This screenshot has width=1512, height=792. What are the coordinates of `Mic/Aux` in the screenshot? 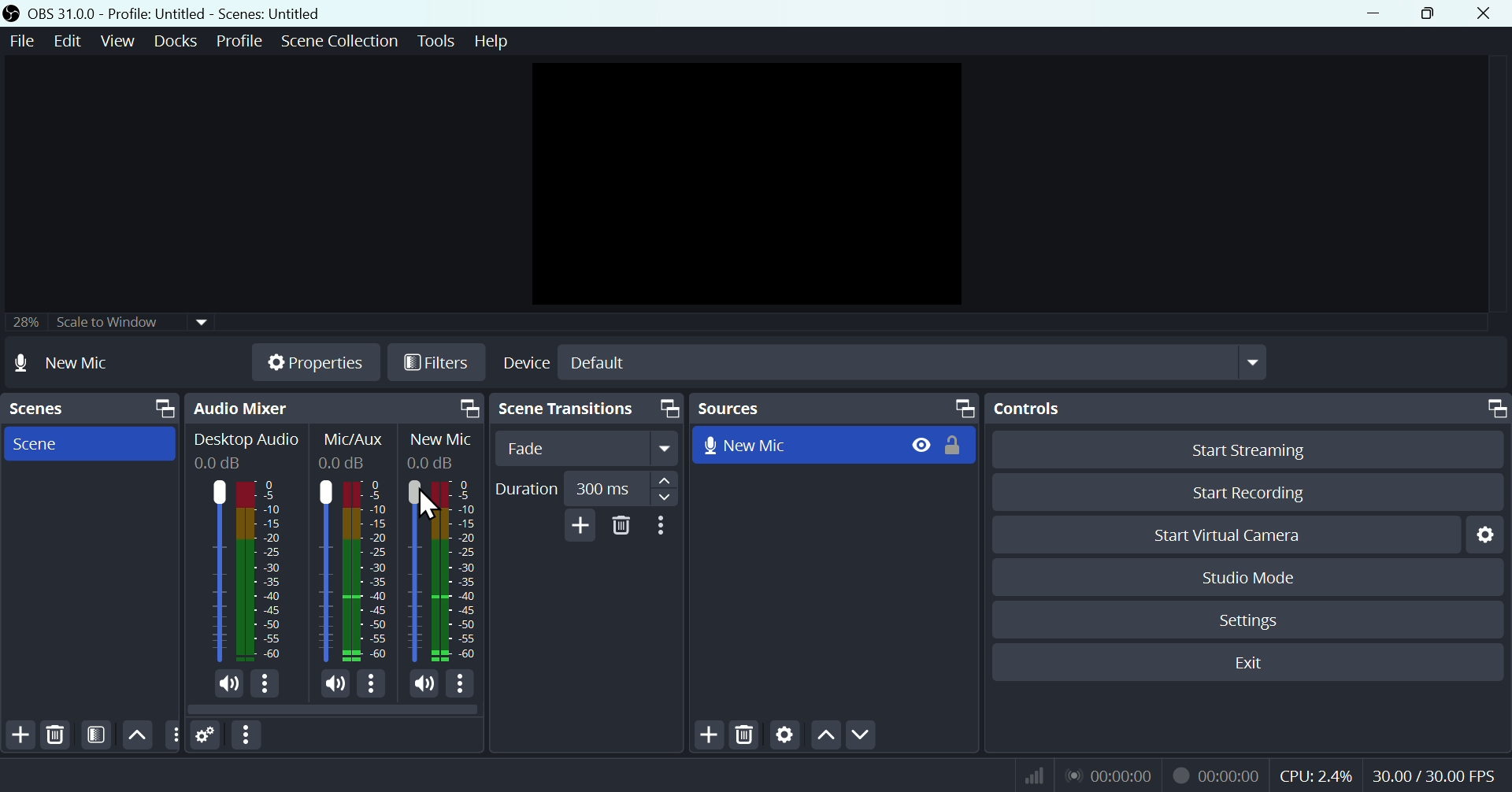 It's located at (324, 570).